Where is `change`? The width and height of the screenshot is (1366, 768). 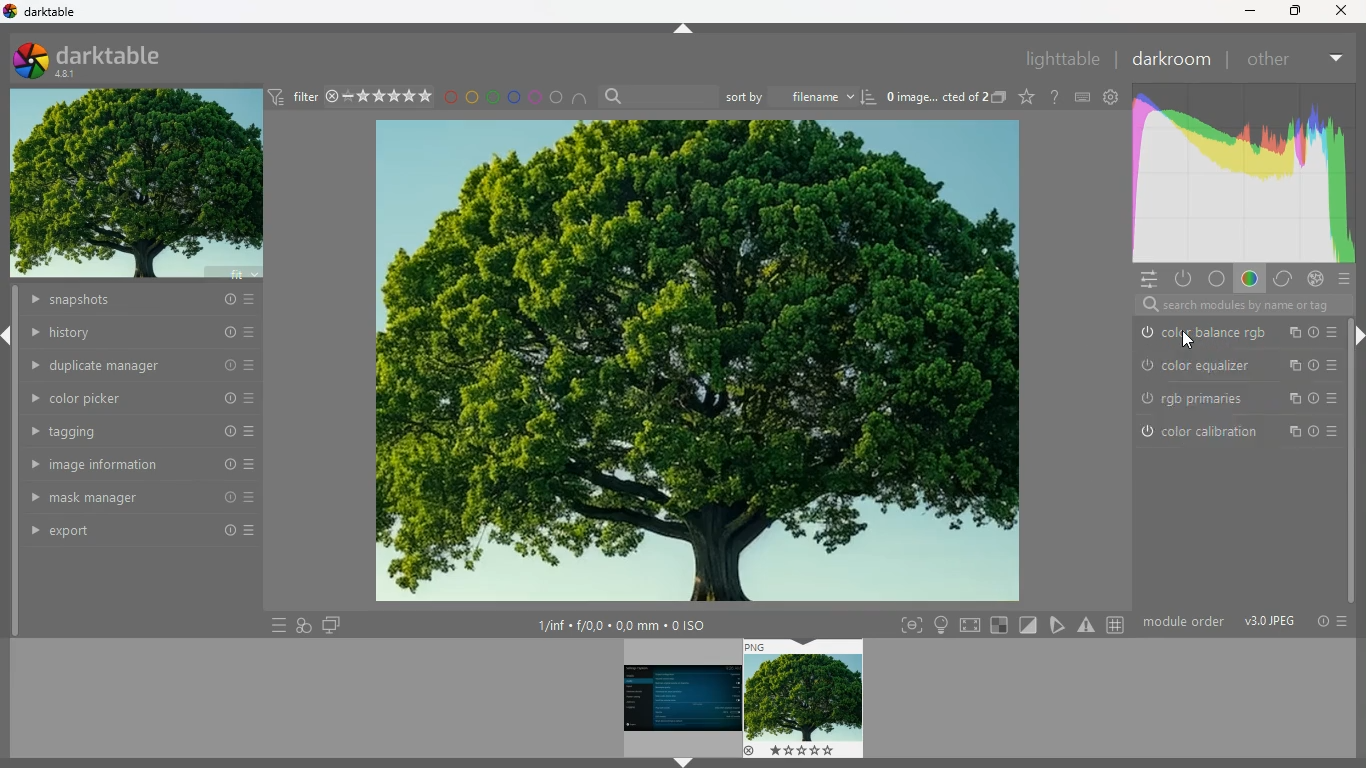
change is located at coordinates (1281, 280).